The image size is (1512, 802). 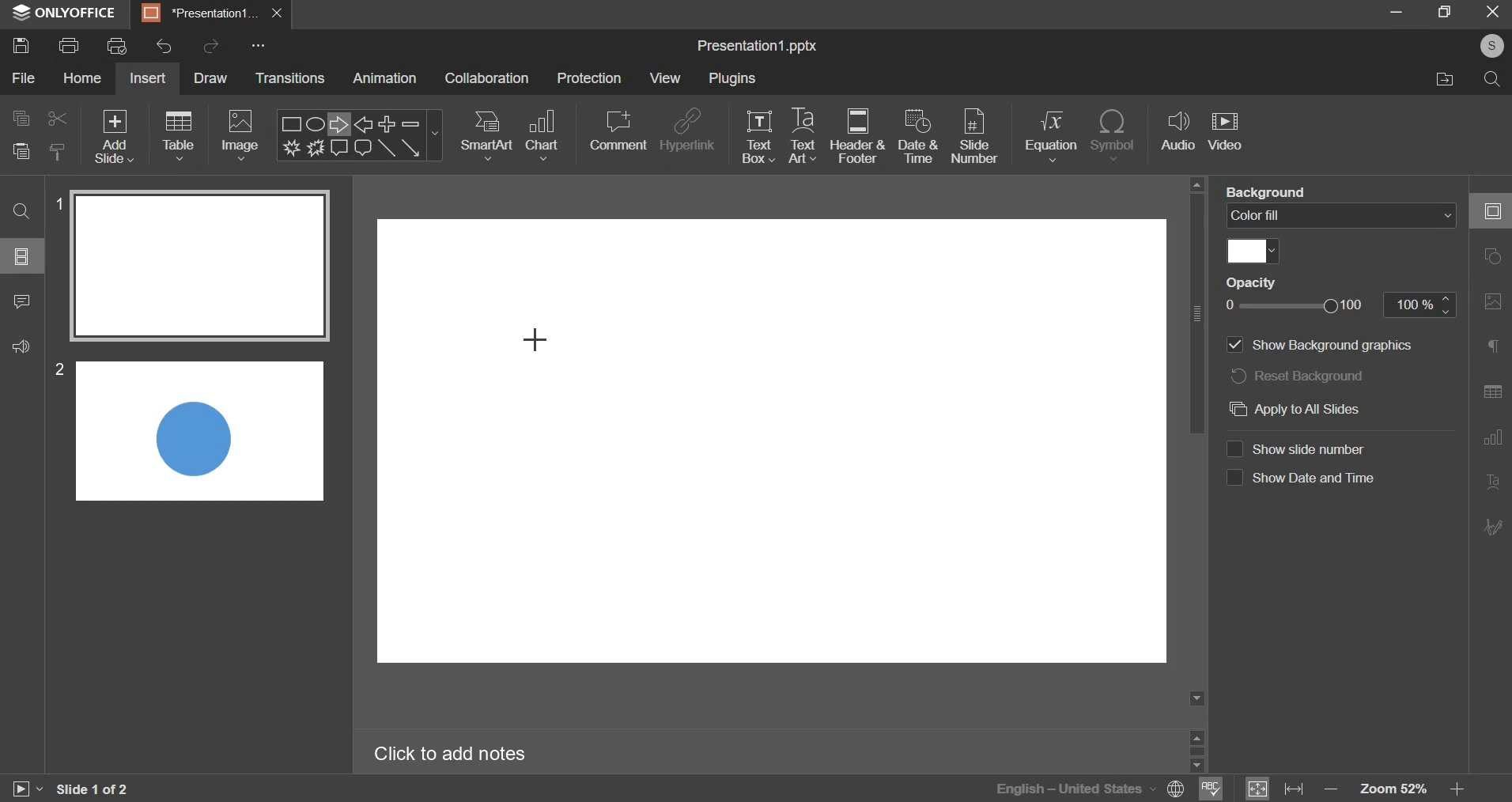 I want to click on select fill color, so click(x=1254, y=251).